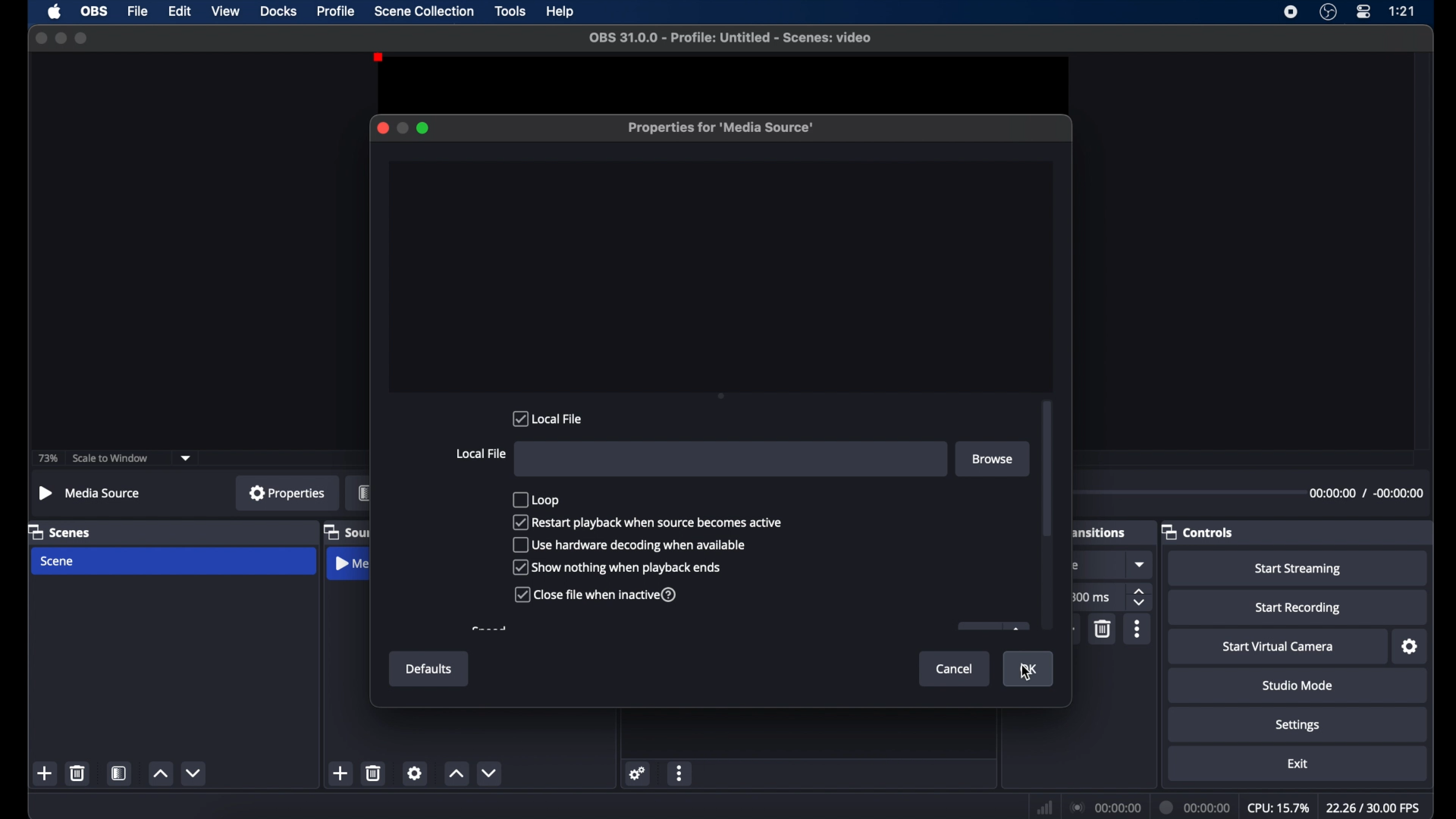 The width and height of the screenshot is (1456, 819). Describe the element at coordinates (720, 127) in the screenshot. I see `properties for media source` at that location.